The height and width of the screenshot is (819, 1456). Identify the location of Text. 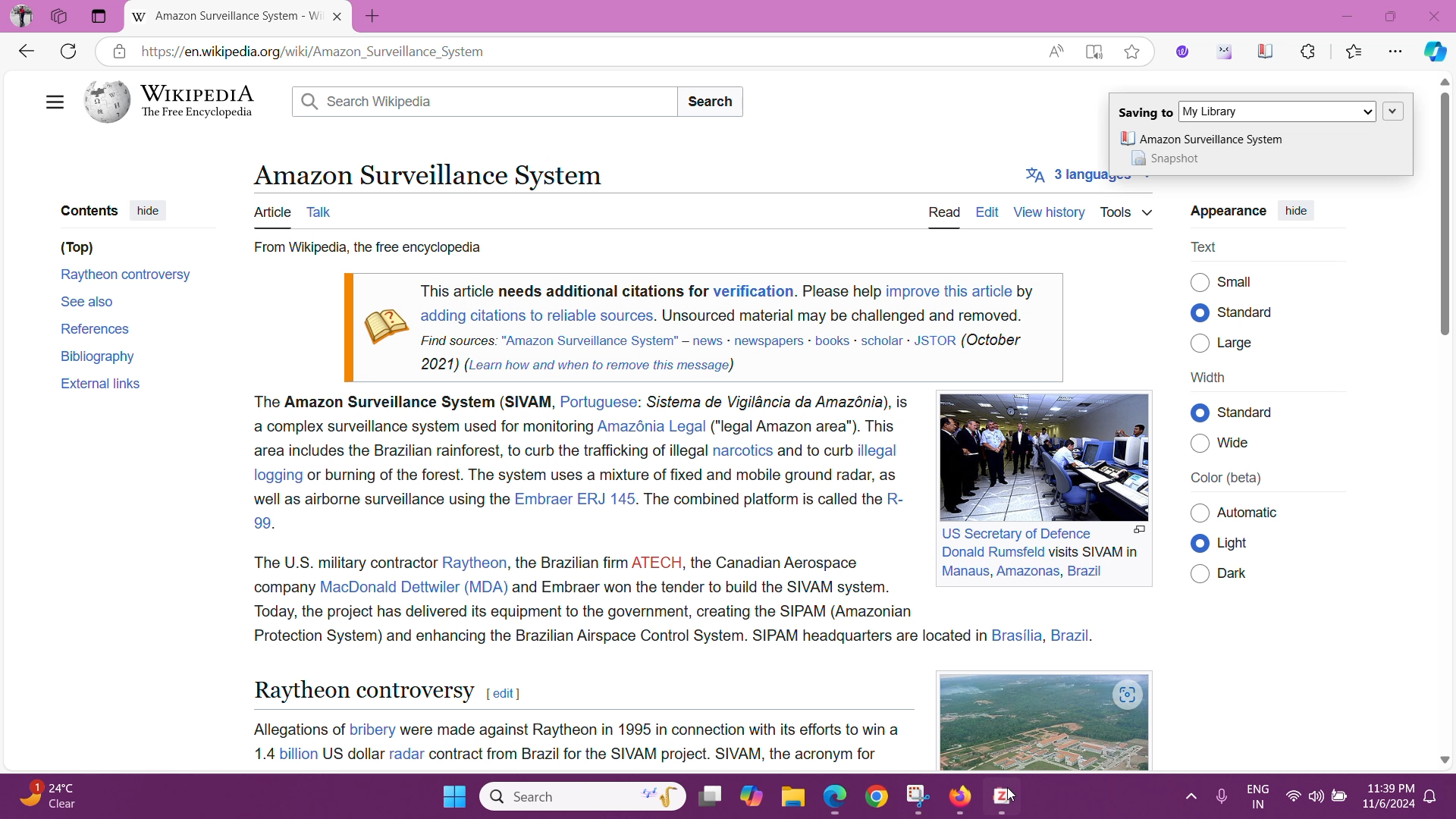
(1207, 246).